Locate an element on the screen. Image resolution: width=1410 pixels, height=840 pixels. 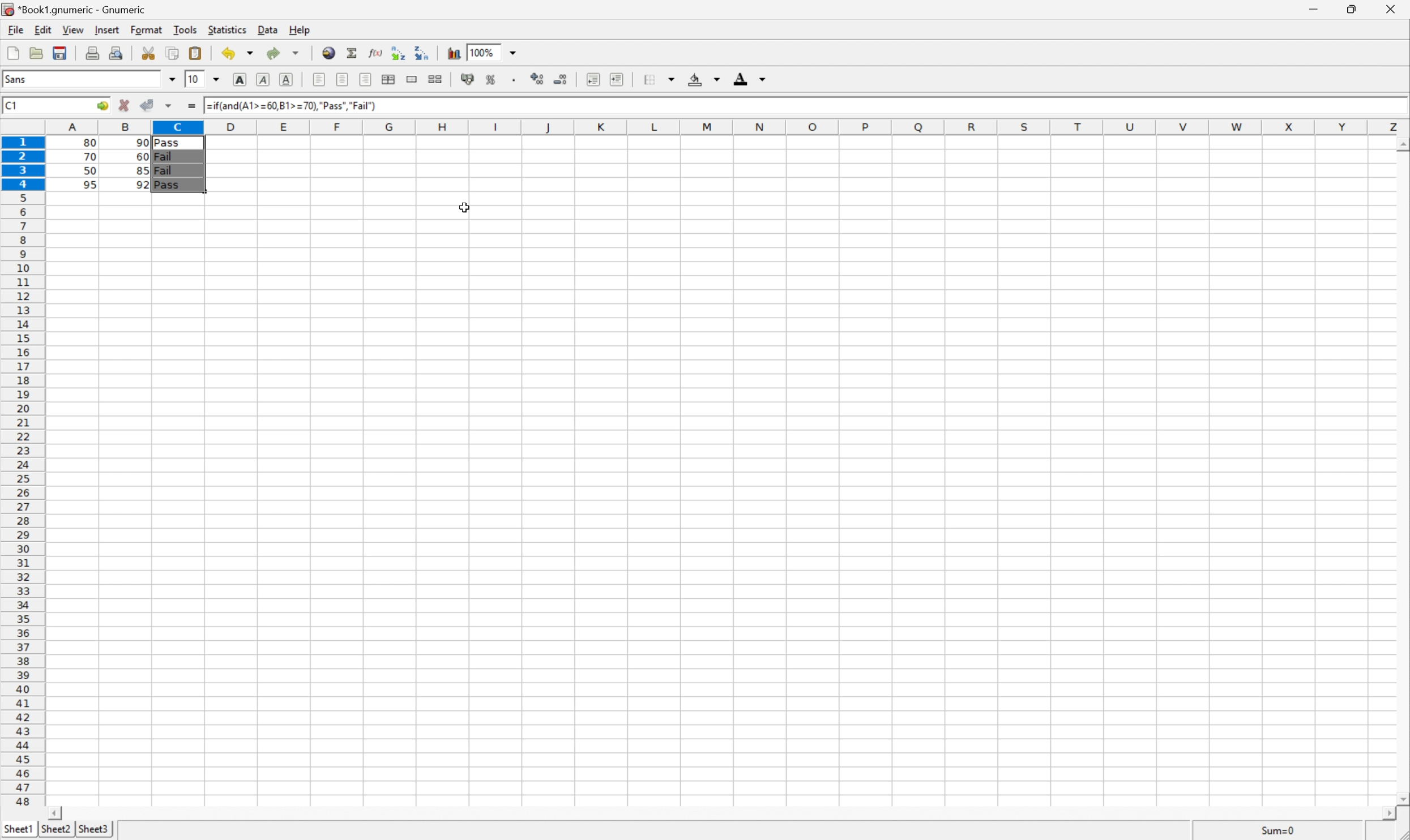
Help is located at coordinates (300, 31).